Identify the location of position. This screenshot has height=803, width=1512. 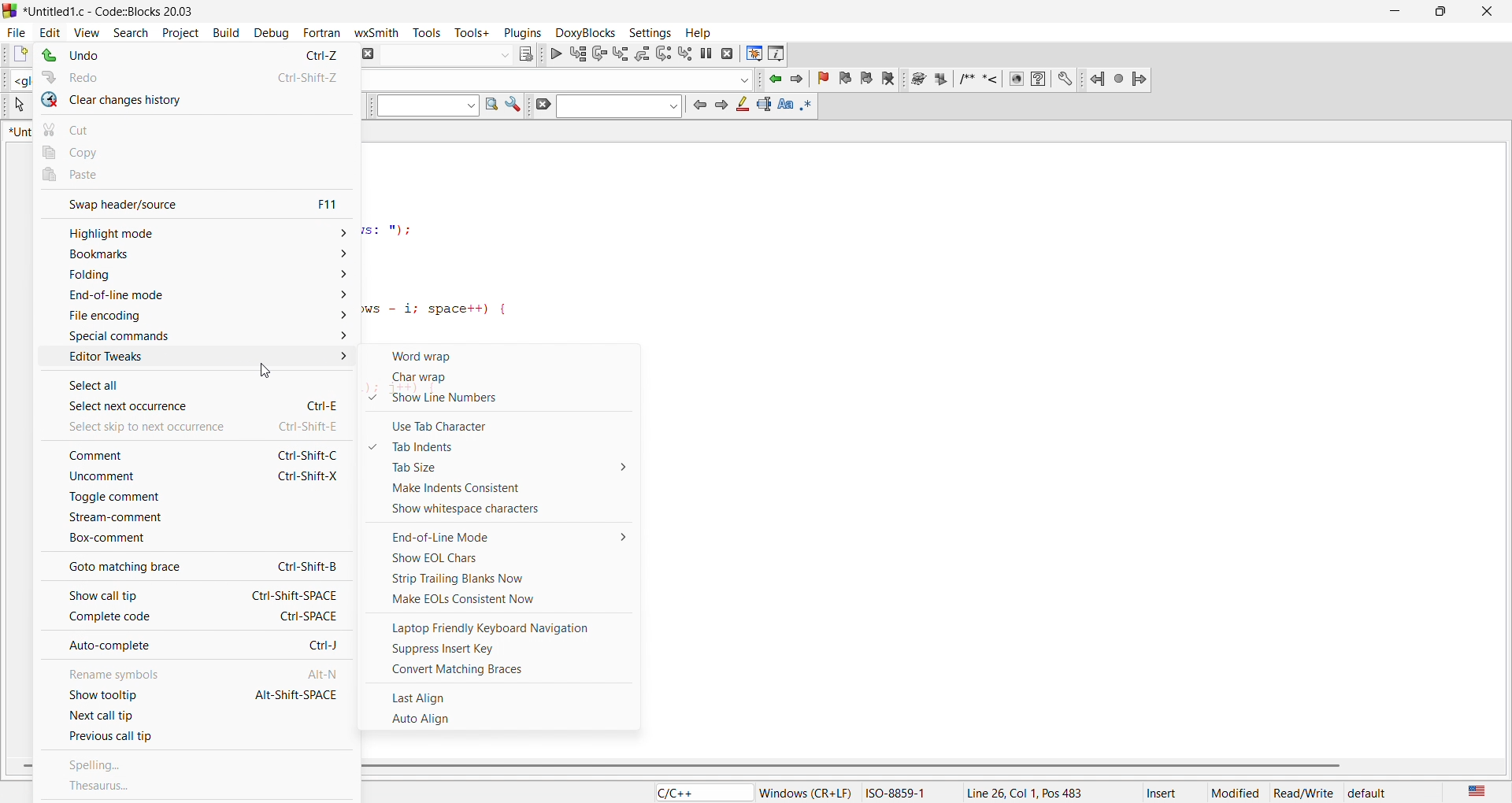
(1039, 791).